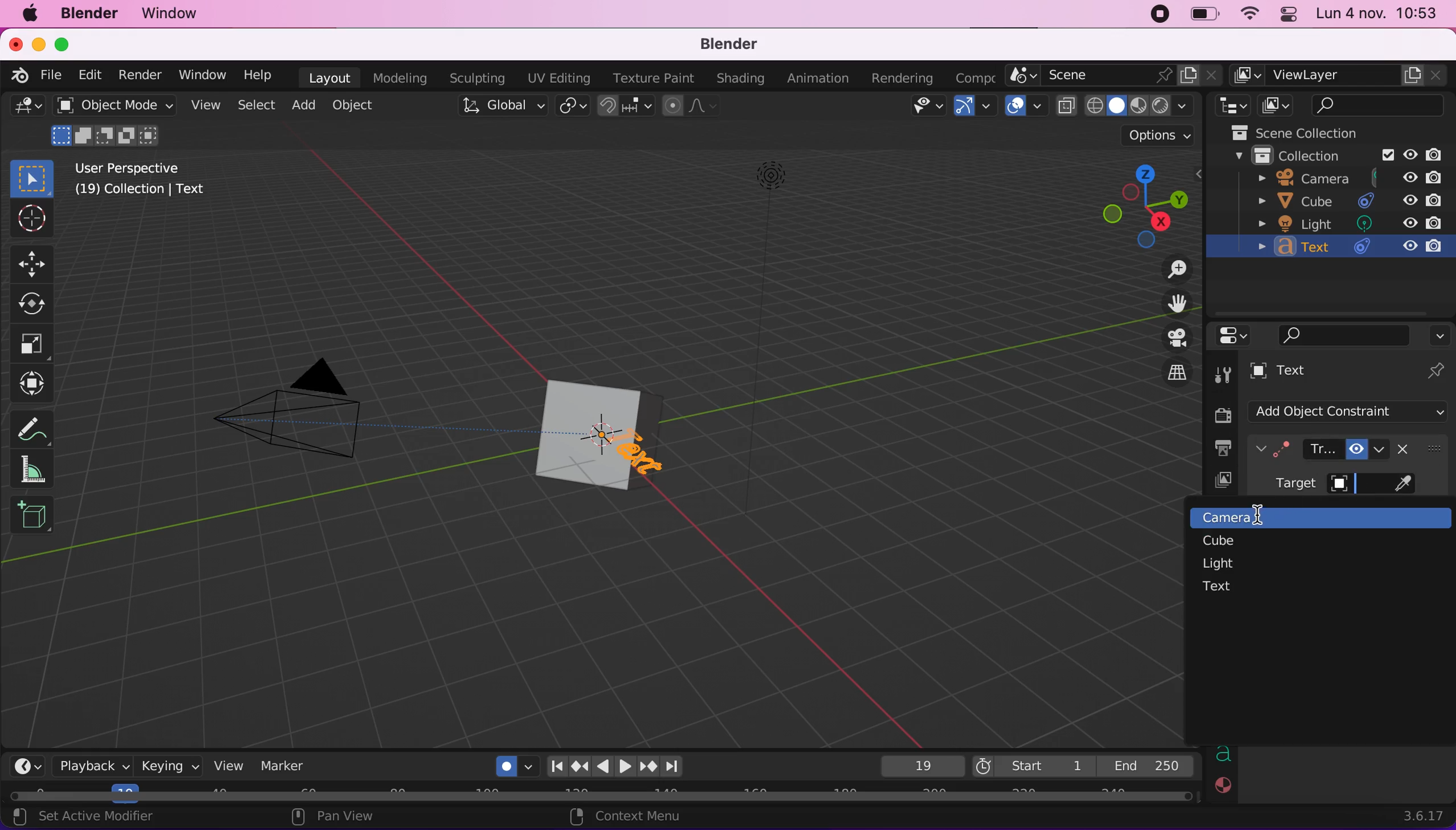  What do you see at coordinates (1345, 334) in the screenshot?
I see `search` at bounding box center [1345, 334].